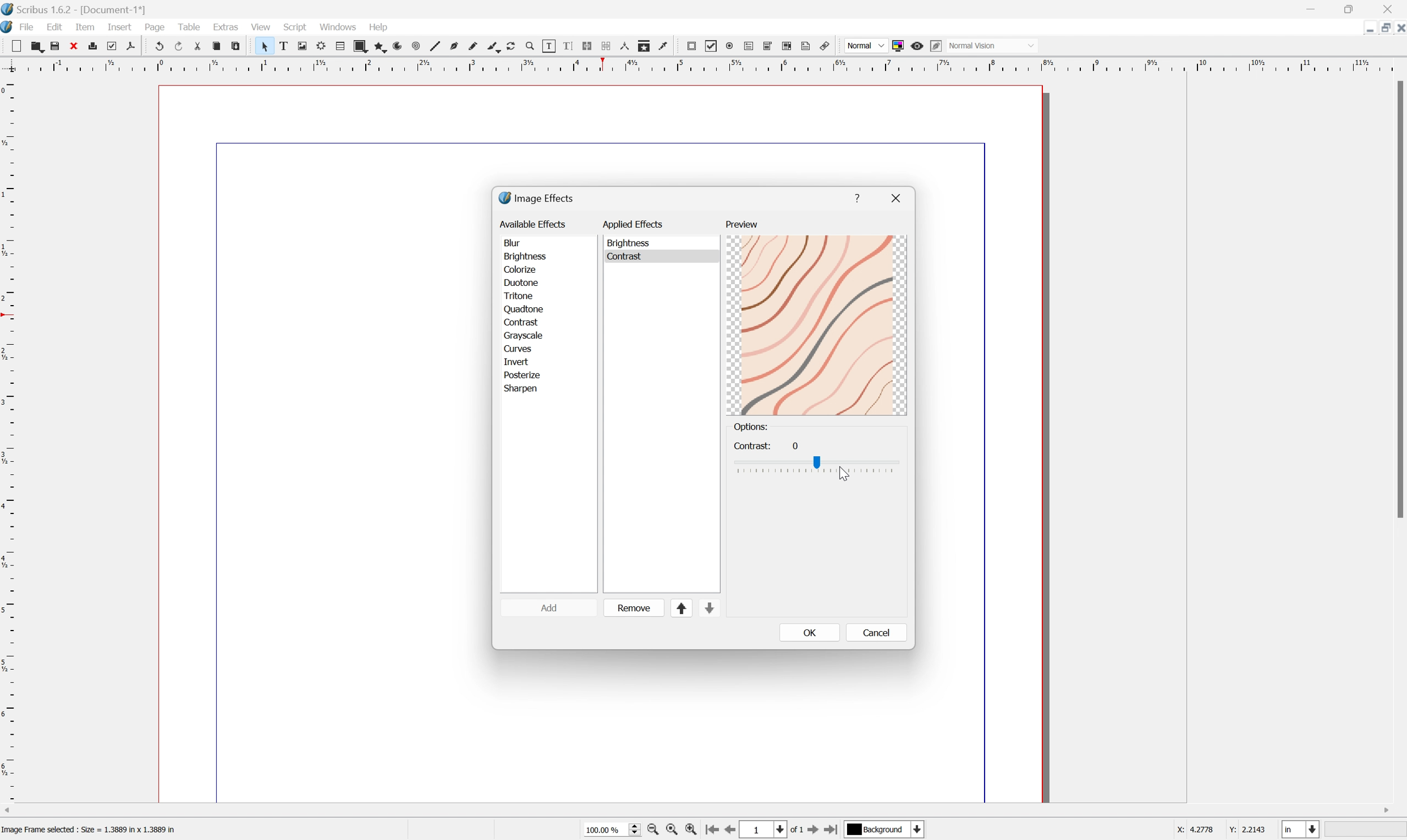 Image resolution: width=1407 pixels, height=840 pixels. Describe the element at coordinates (362, 45) in the screenshot. I see `Shape` at that location.